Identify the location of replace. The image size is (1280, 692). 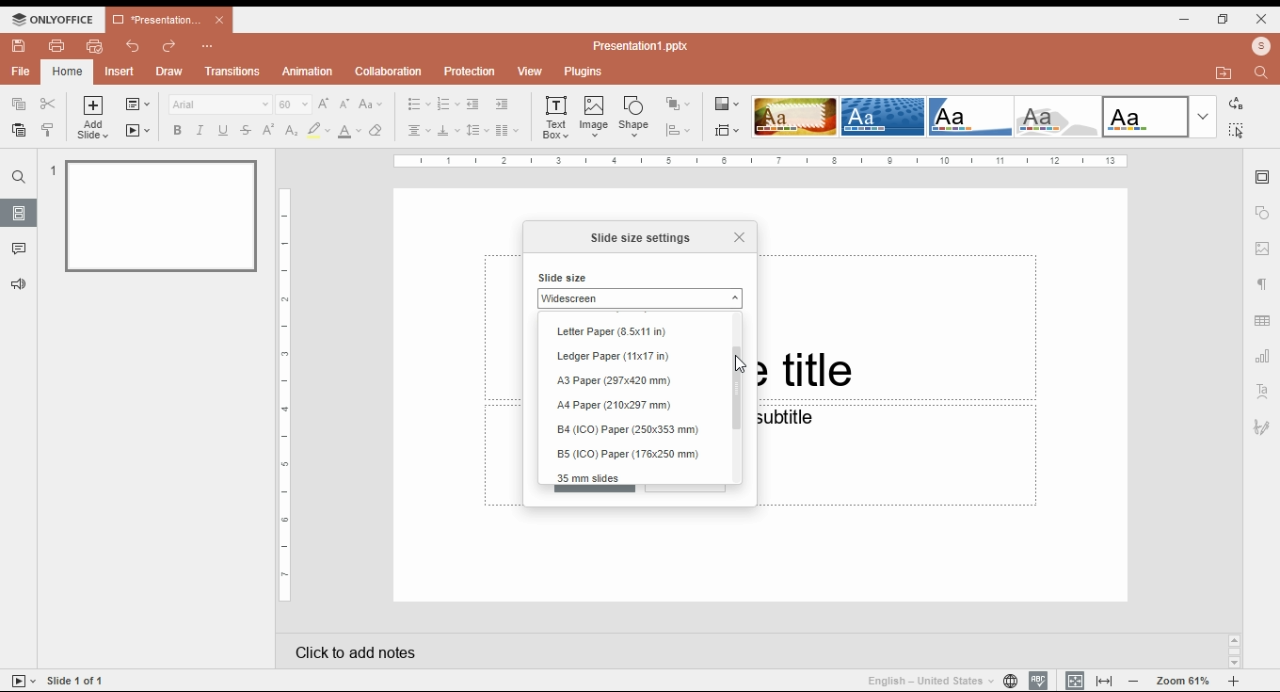
(1234, 104).